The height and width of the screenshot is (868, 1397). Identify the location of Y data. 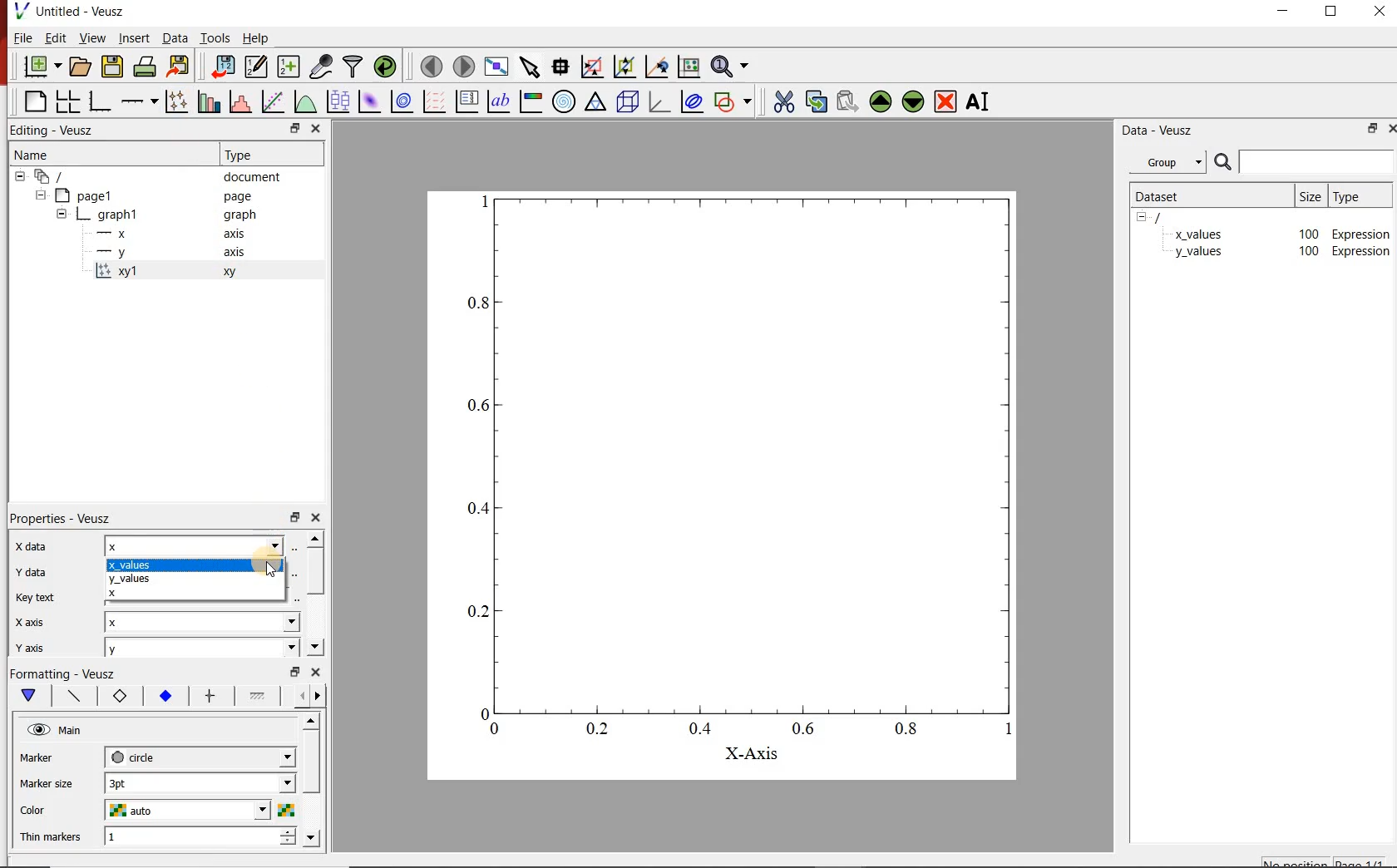
(37, 572).